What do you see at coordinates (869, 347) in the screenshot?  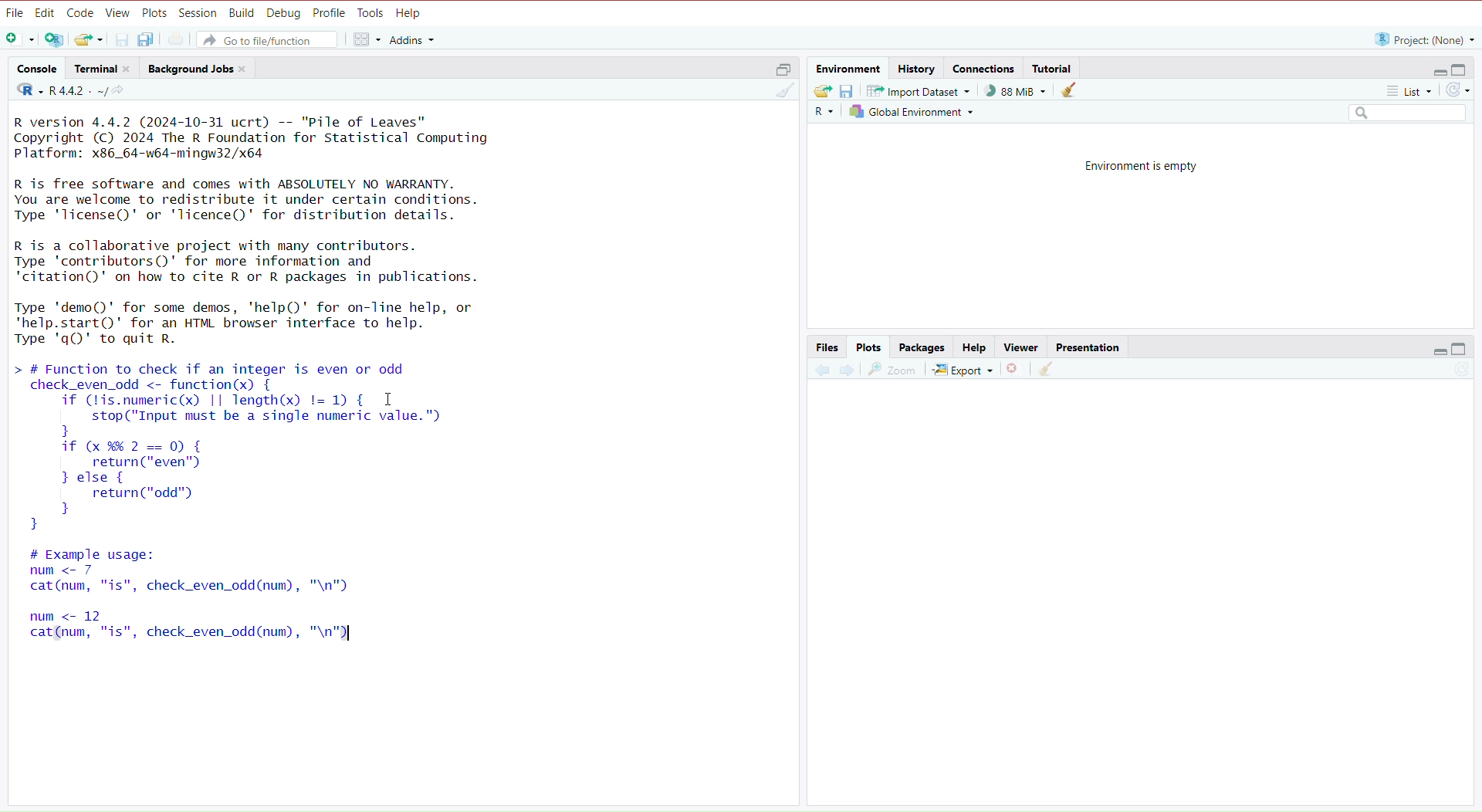 I see `plots` at bounding box center [869, 347].